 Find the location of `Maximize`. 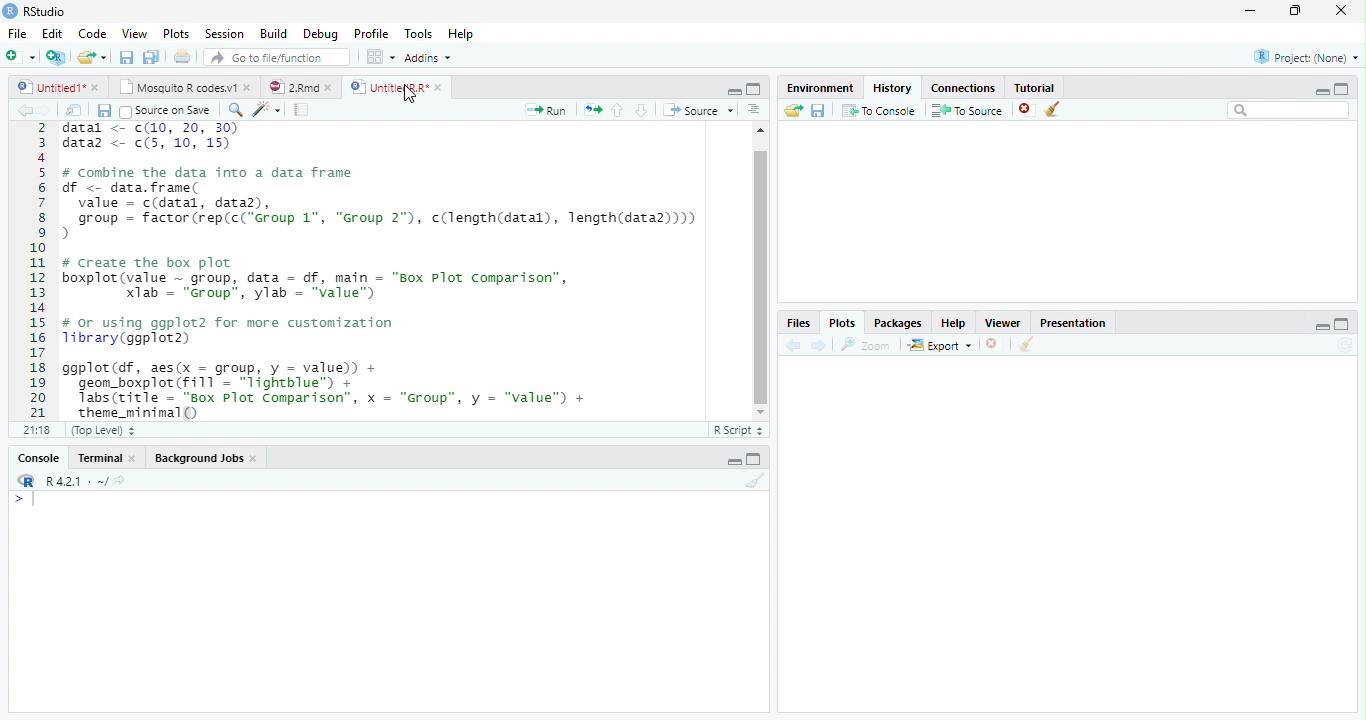

Maximize is located at coordinates (754, 89).